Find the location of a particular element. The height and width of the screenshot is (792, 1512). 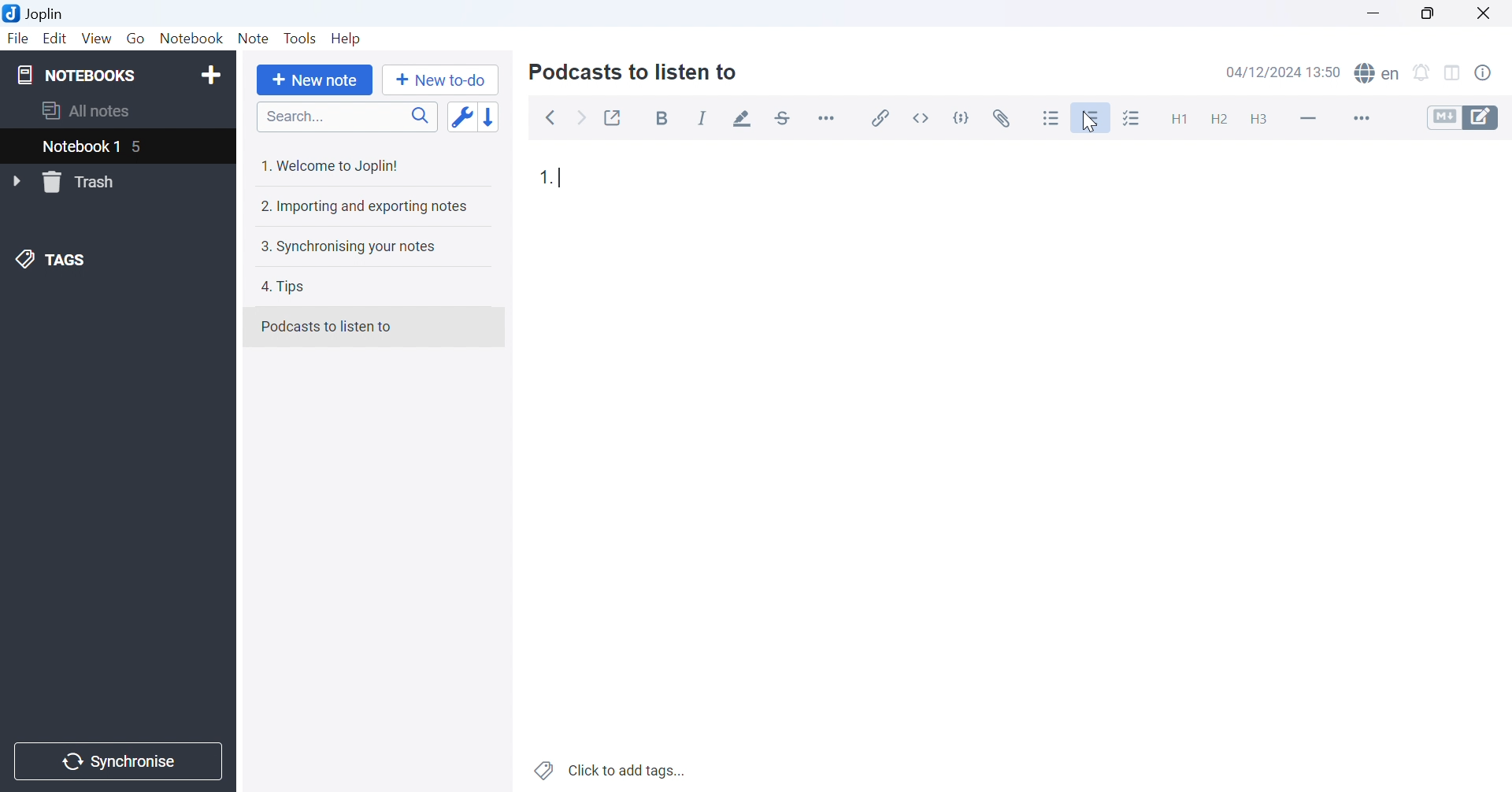

Toggle sort order field is located at coordinates (461, 117).